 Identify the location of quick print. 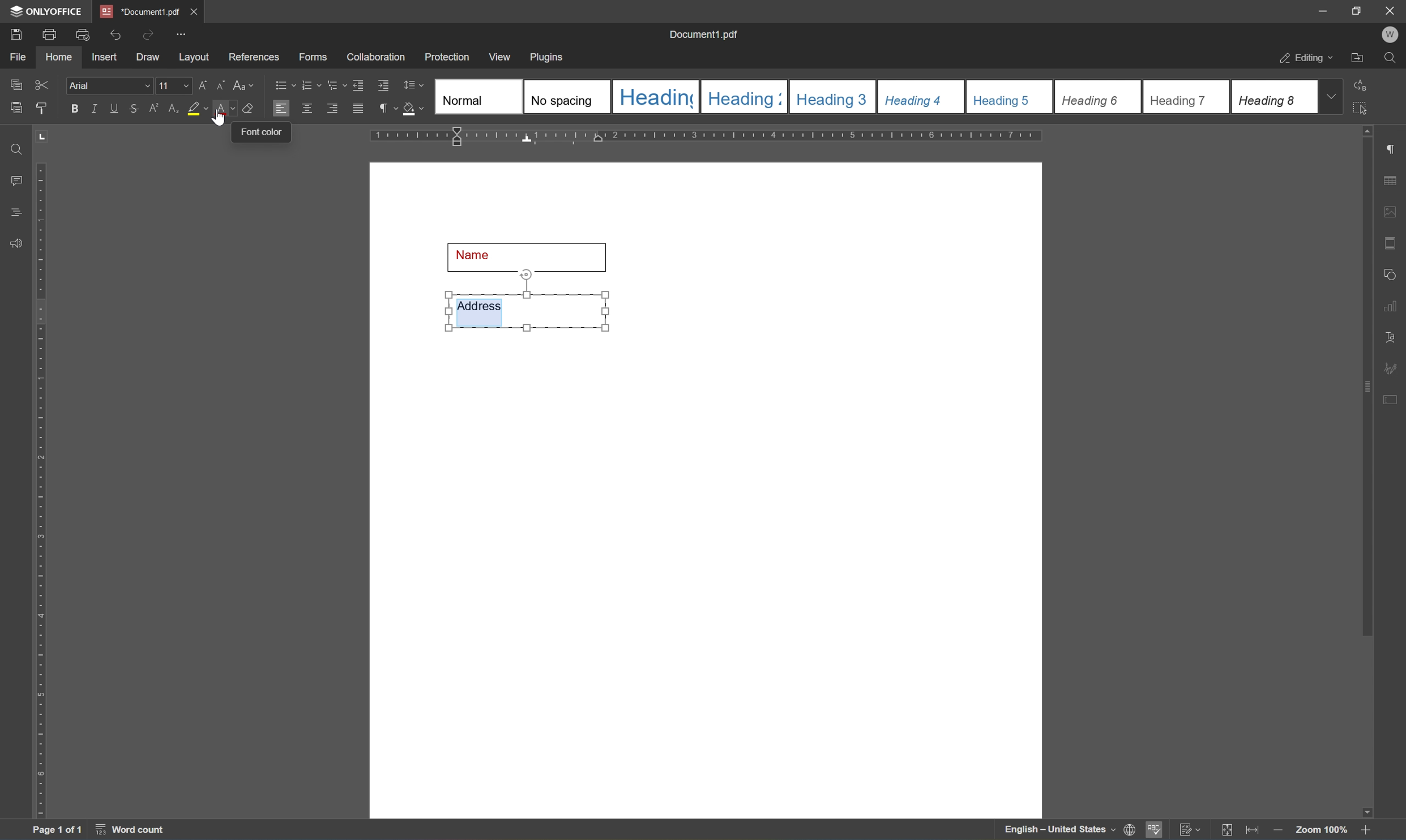
(80, 33).